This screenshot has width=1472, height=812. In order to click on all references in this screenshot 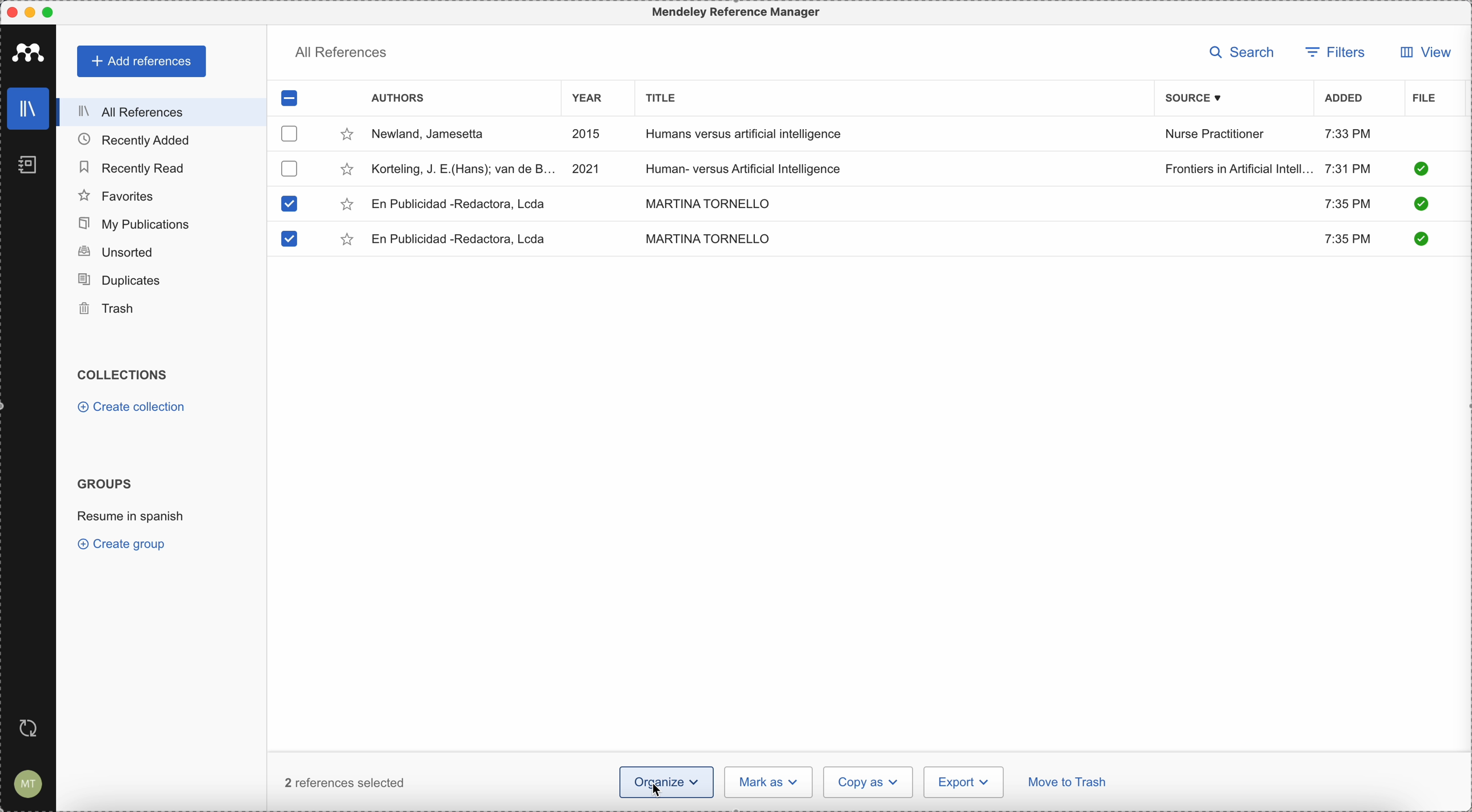, I will do `click(341, 55)`.